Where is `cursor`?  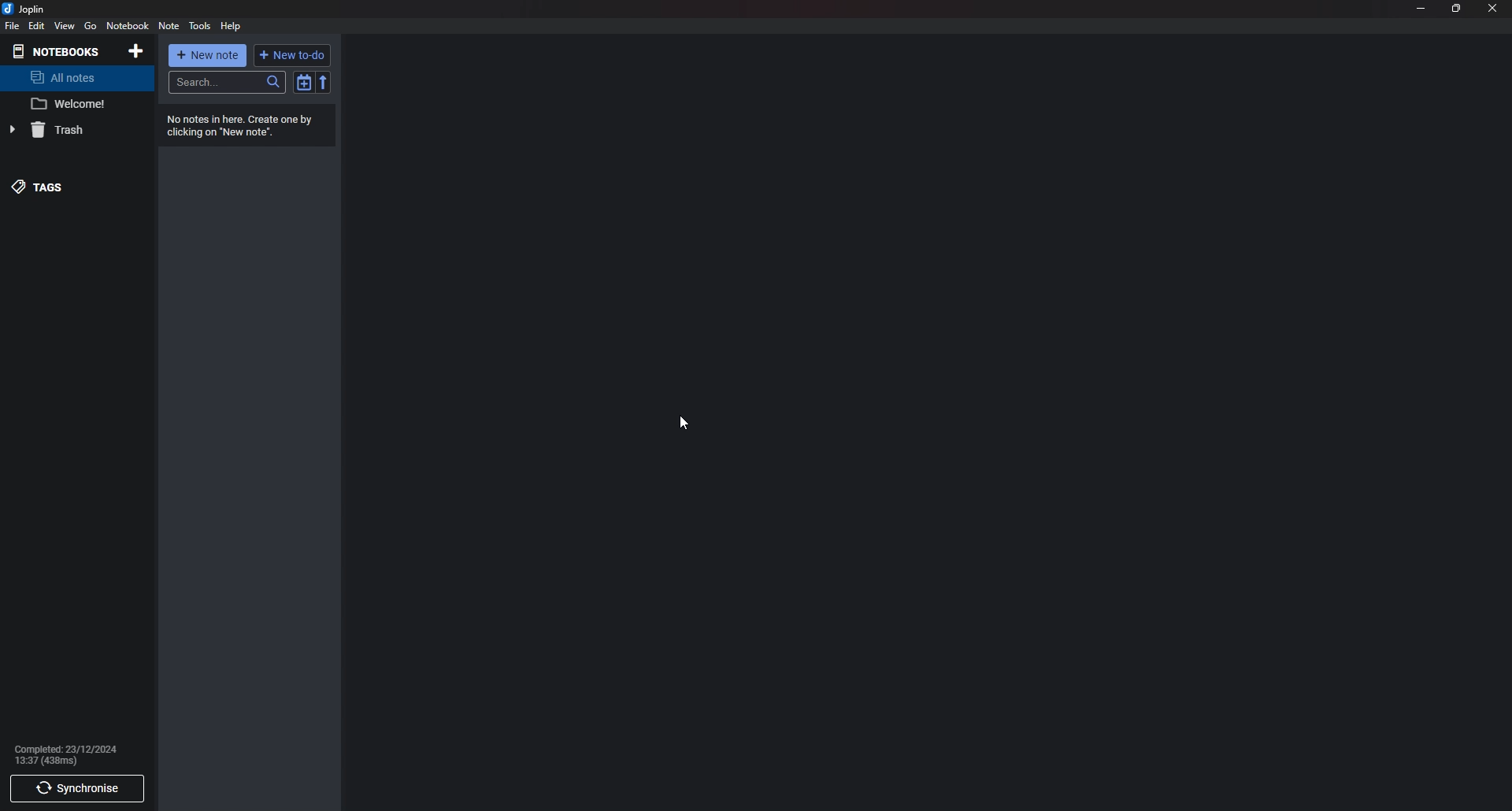 cursor is located at coordinates (686, 420).